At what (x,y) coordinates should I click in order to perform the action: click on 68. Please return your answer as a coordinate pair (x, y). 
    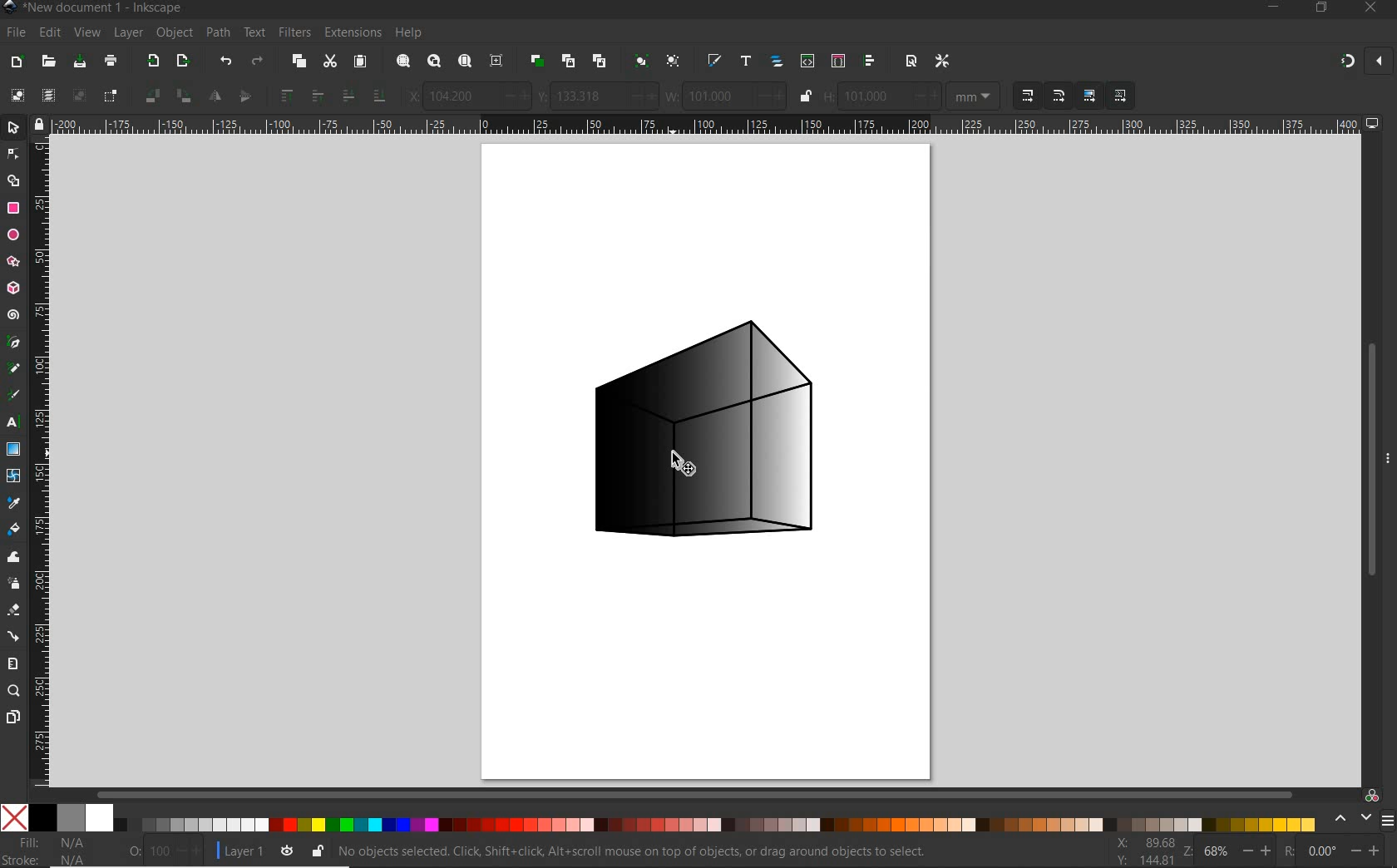
    Looking at the image, I should click on (1218, 851).